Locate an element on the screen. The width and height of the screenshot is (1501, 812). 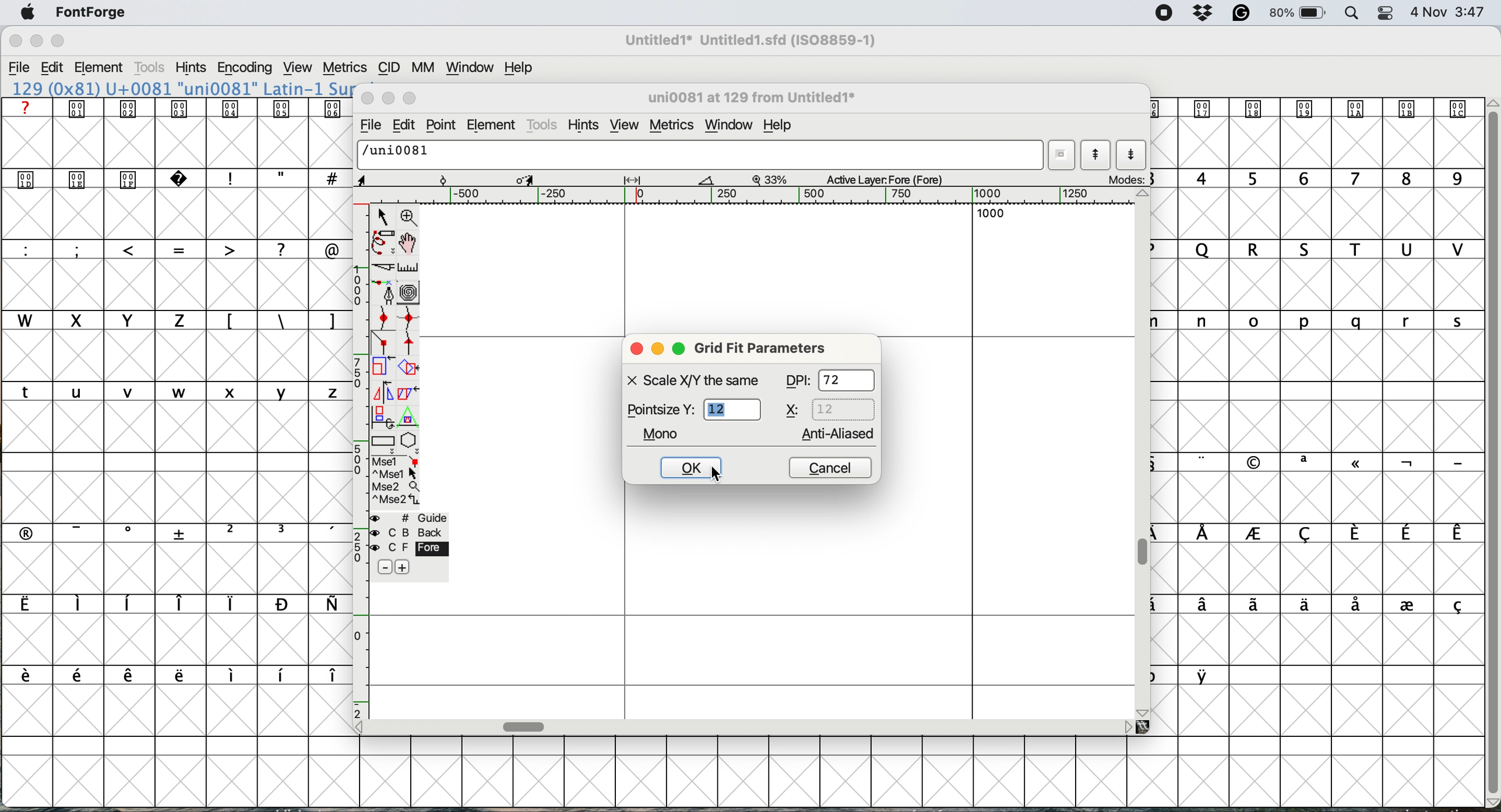
word list is located at coordinates (1064, 156).